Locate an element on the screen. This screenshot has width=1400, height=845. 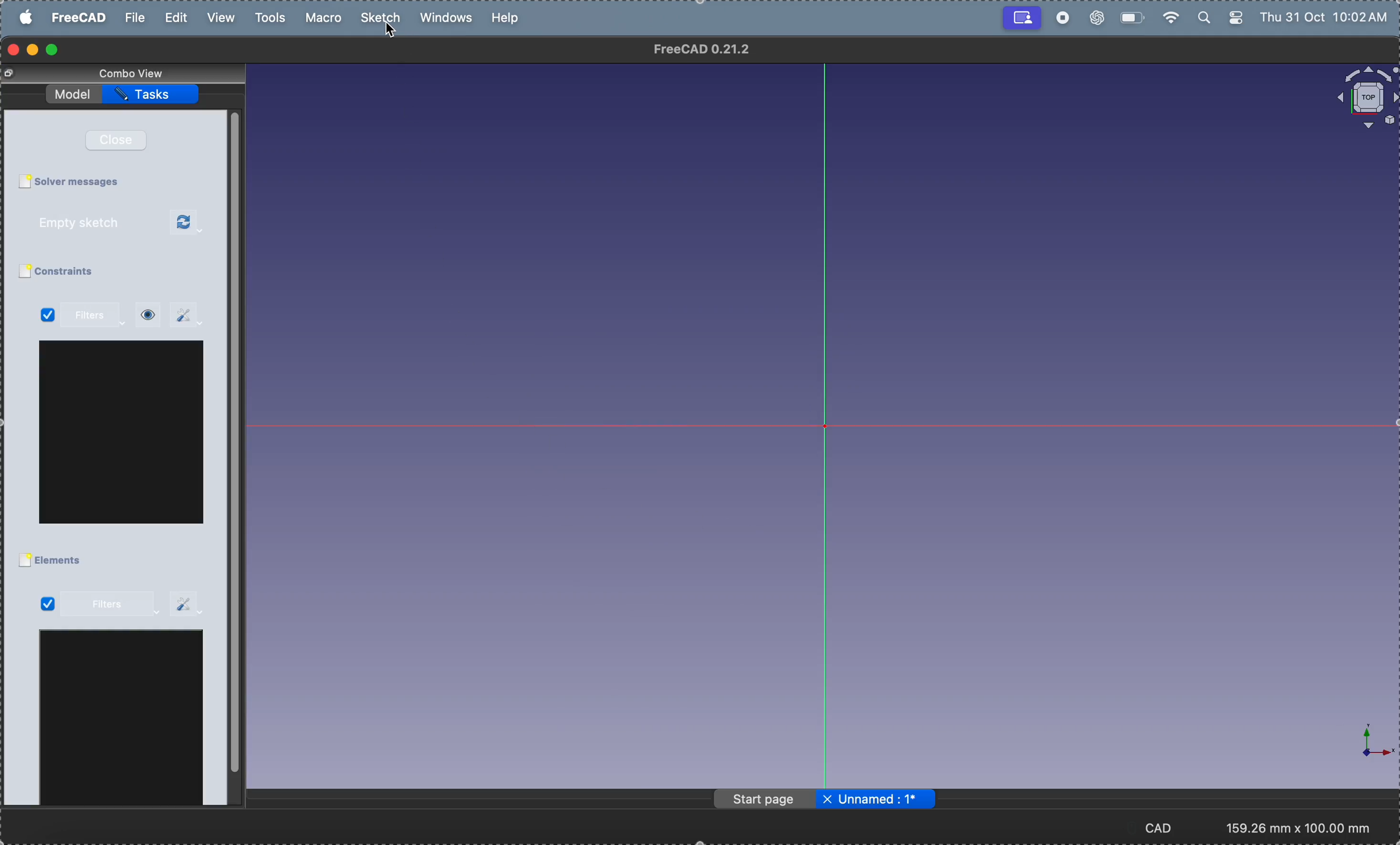
marco is located at coordinates (327, 18).